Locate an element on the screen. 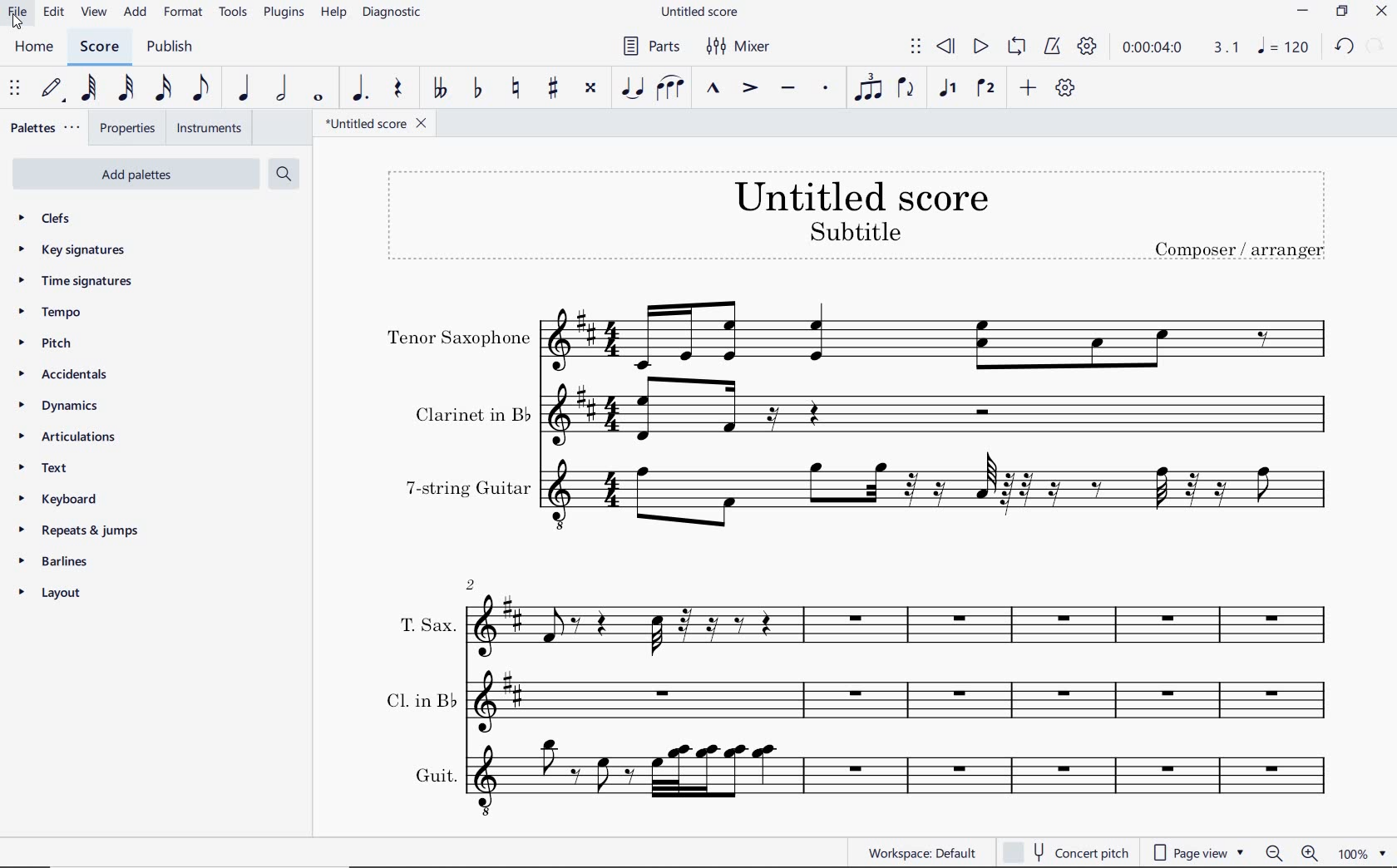 This screenshot has width=1397, height=868. TOGGLE DOUBLE-SHARP is located at coordinates (590, 91).